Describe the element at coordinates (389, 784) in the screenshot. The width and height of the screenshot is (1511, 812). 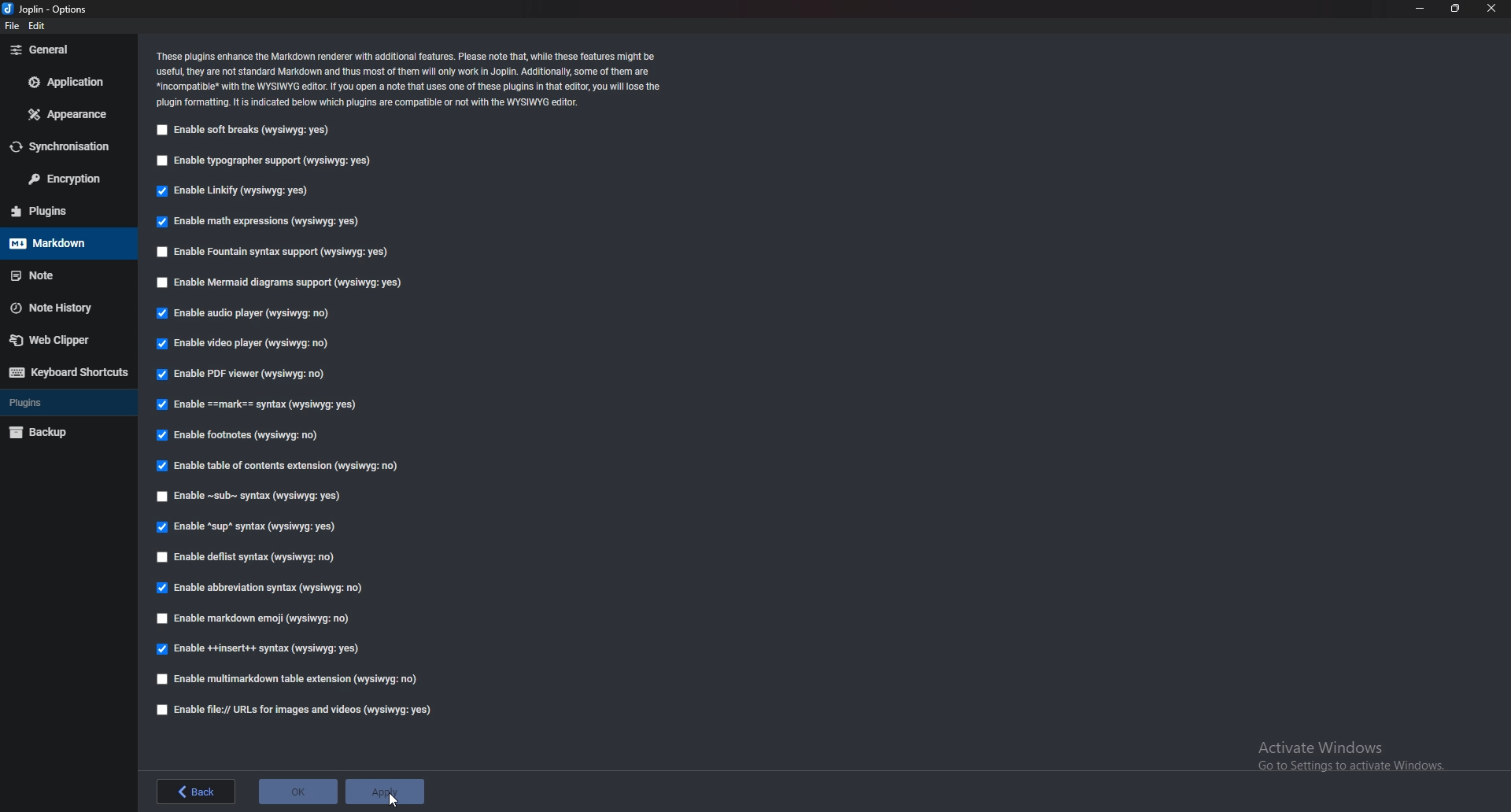
I see `apply` at that location.